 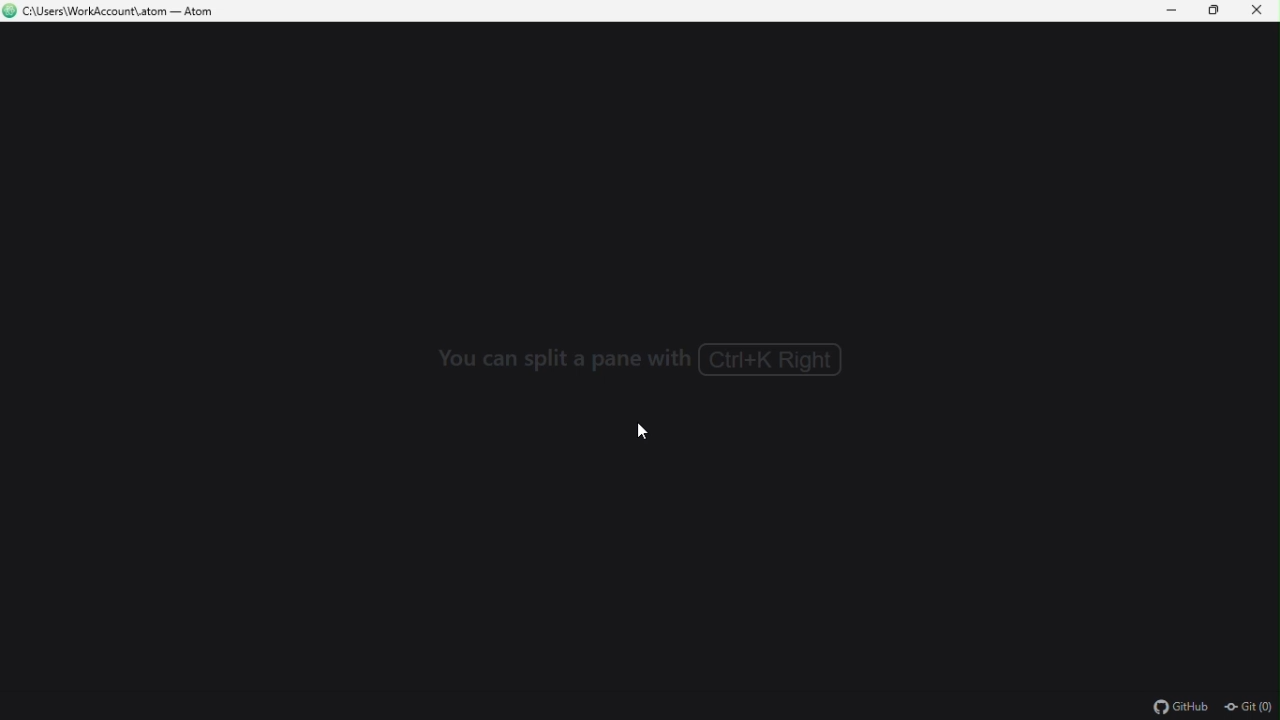 I want to click on Cursor, so click(x=639, y=433).